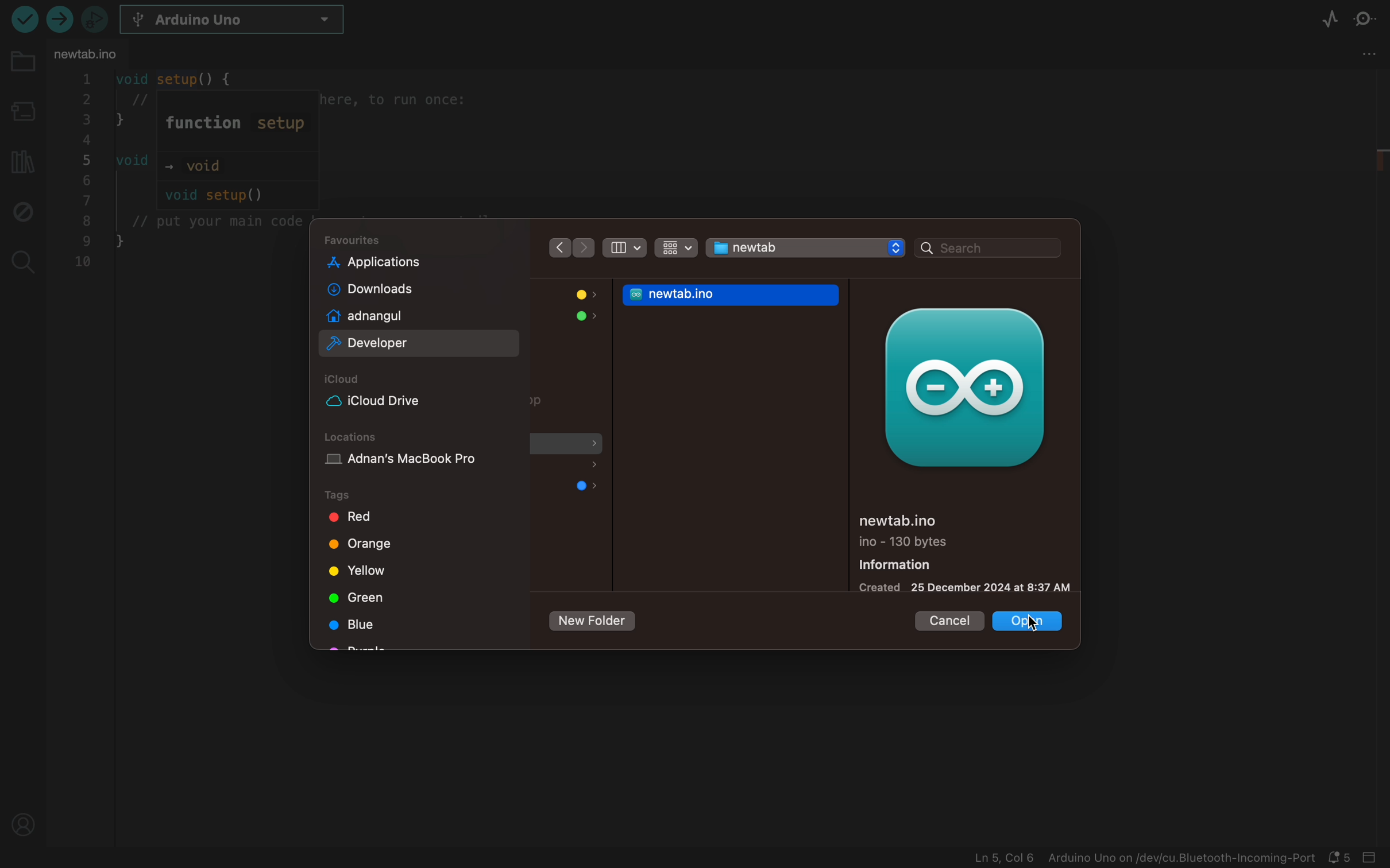 The image size is (1390, 868). Describe the element at coordinates (347, 379) in the screenshot. I see `icloud` at that location.